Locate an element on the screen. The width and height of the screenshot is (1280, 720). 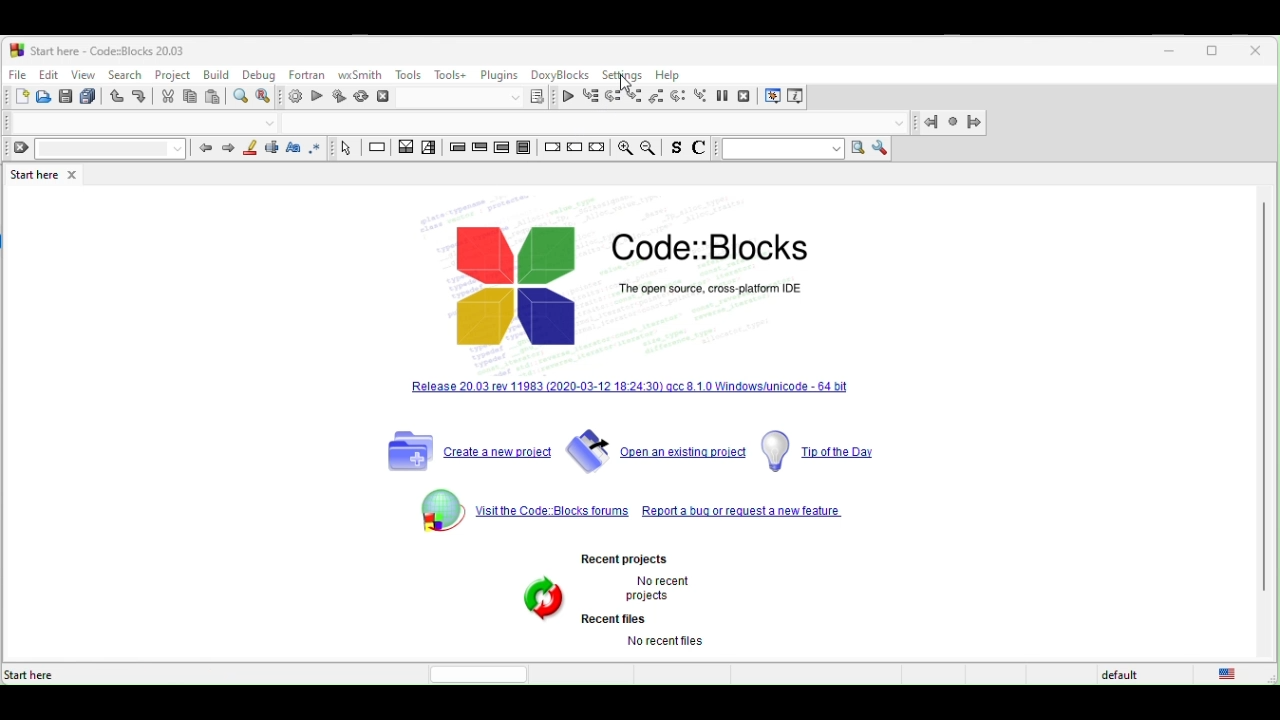
tools is located at coordinates (408, 74).